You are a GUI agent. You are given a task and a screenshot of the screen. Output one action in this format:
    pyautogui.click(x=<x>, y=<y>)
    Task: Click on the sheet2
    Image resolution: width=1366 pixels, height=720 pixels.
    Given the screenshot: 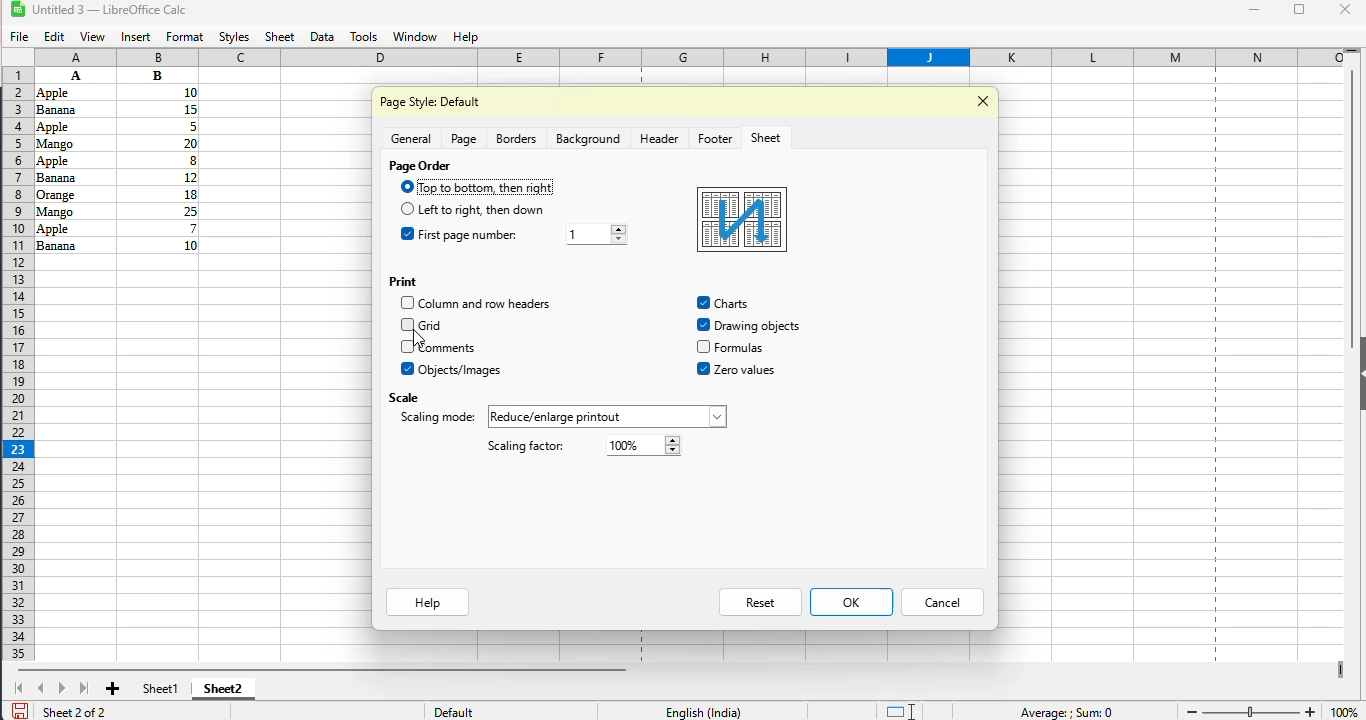 What is the action you would take?
    pyautogui.click(x=224, y=687)
    